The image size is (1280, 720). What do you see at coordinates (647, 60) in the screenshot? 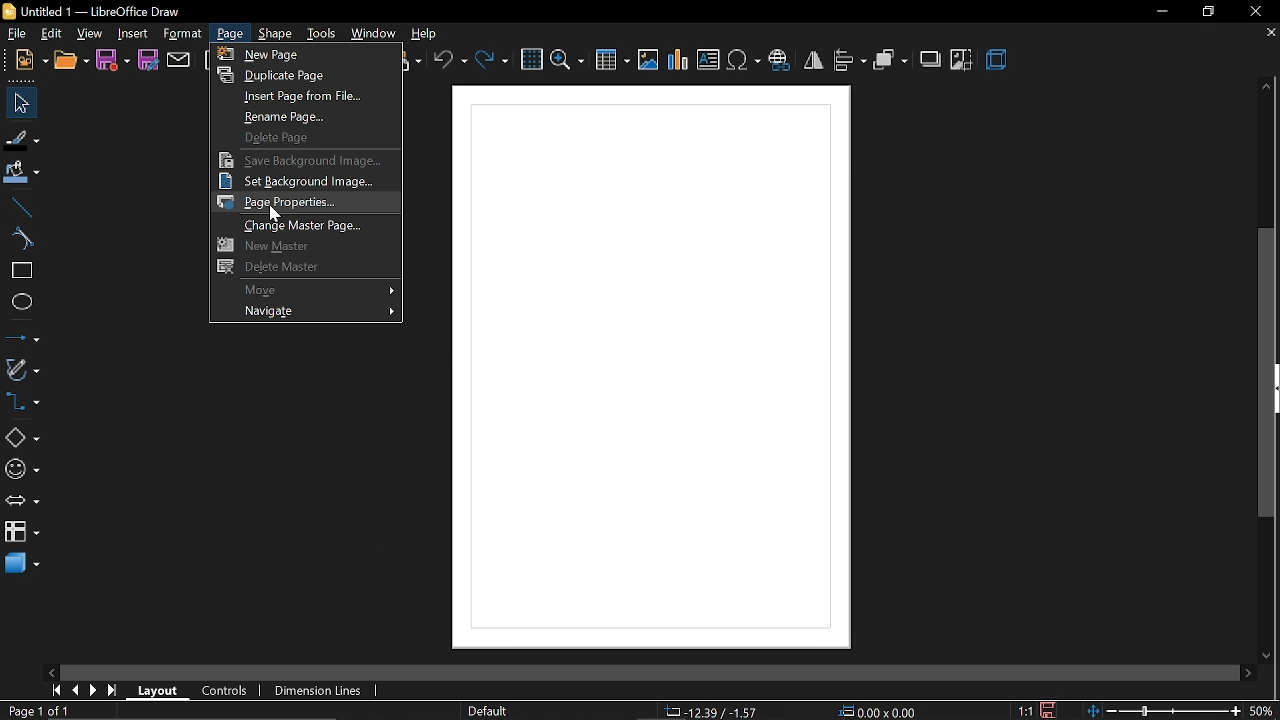
I see `insert image` at bounding box center [647, 60].